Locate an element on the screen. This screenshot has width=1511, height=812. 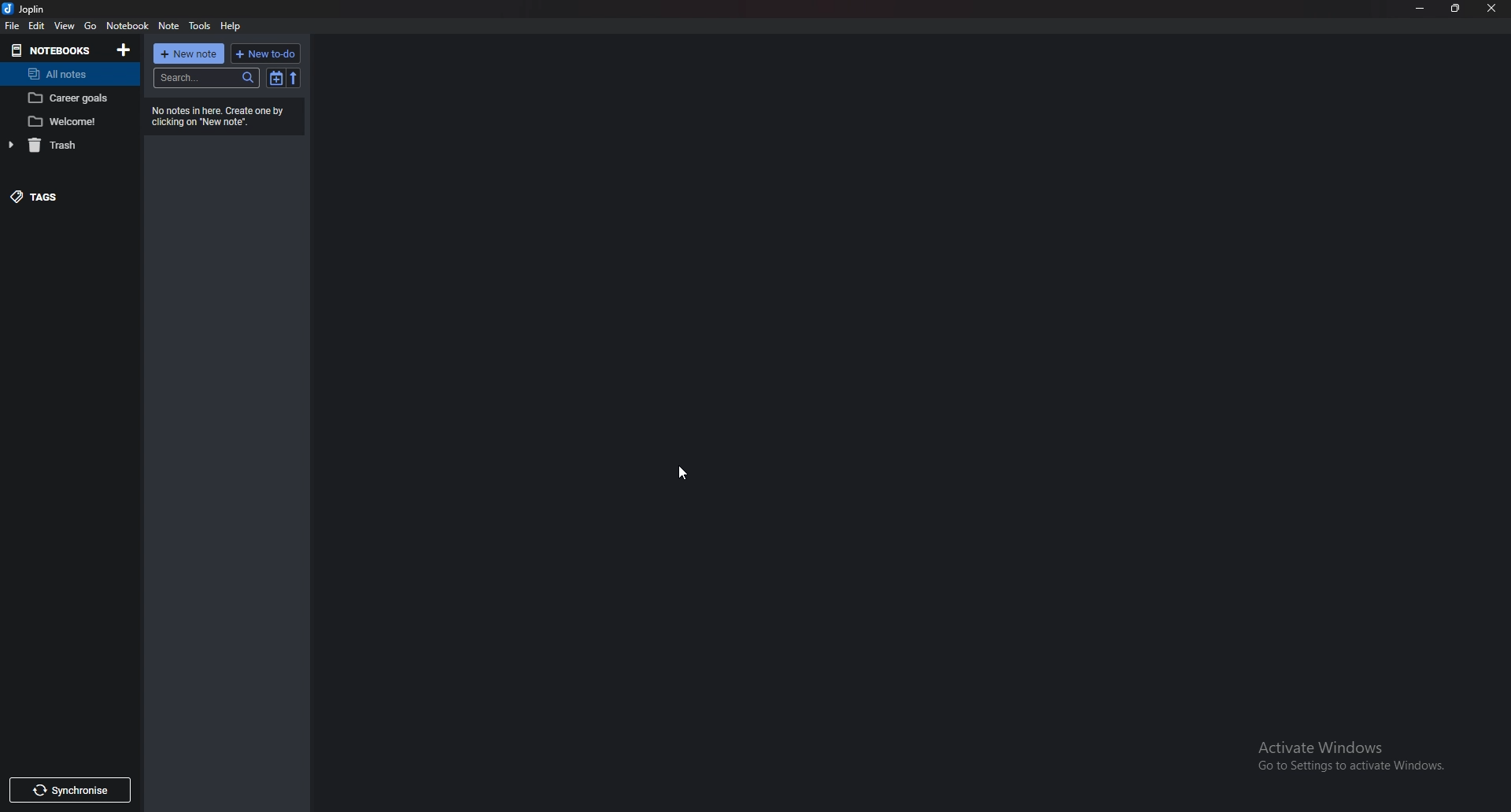
view is located at coordinates (65, 25).